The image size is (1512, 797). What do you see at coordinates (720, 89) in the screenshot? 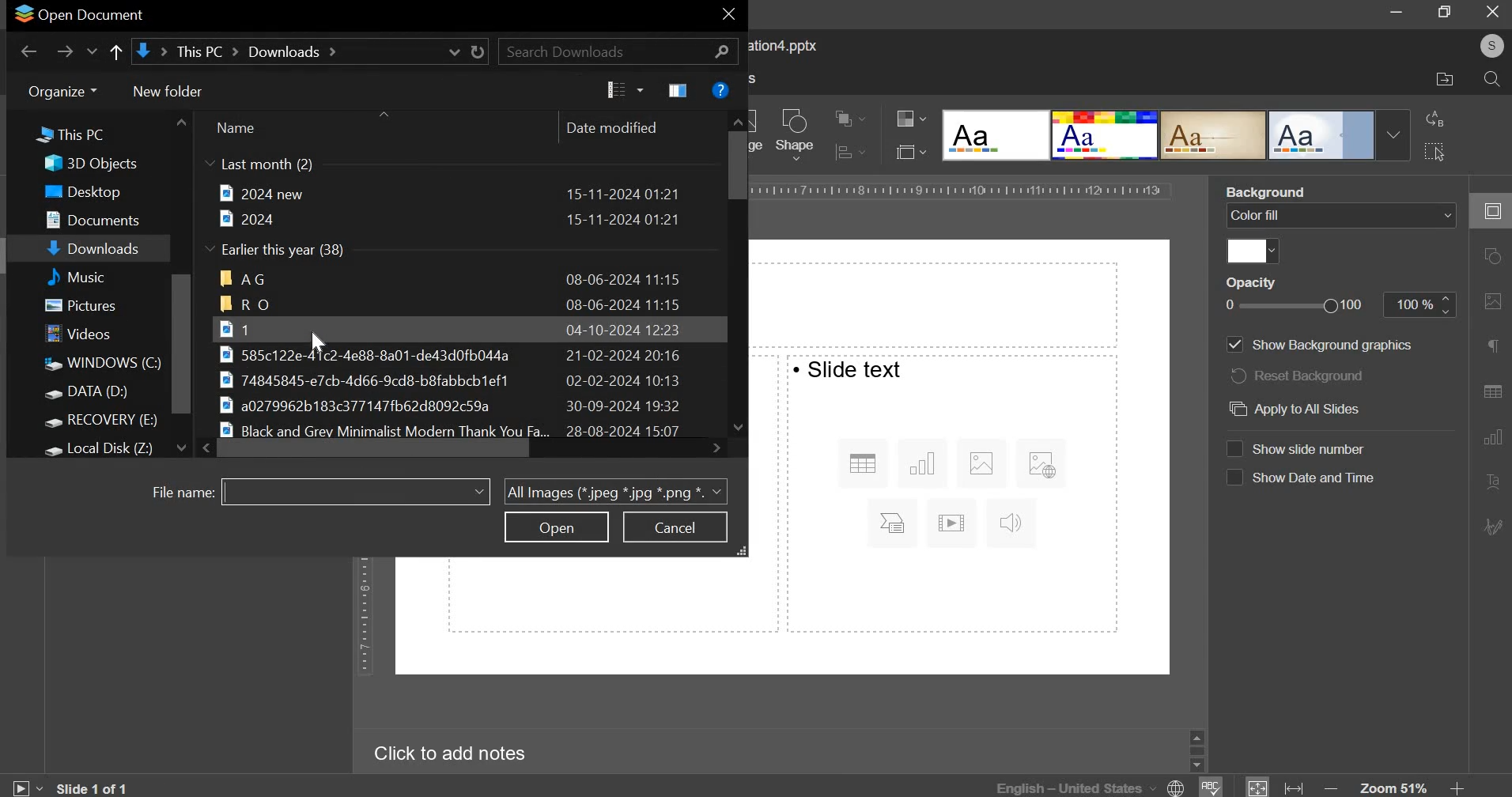
I see `help` at bounding box center [720, 89].